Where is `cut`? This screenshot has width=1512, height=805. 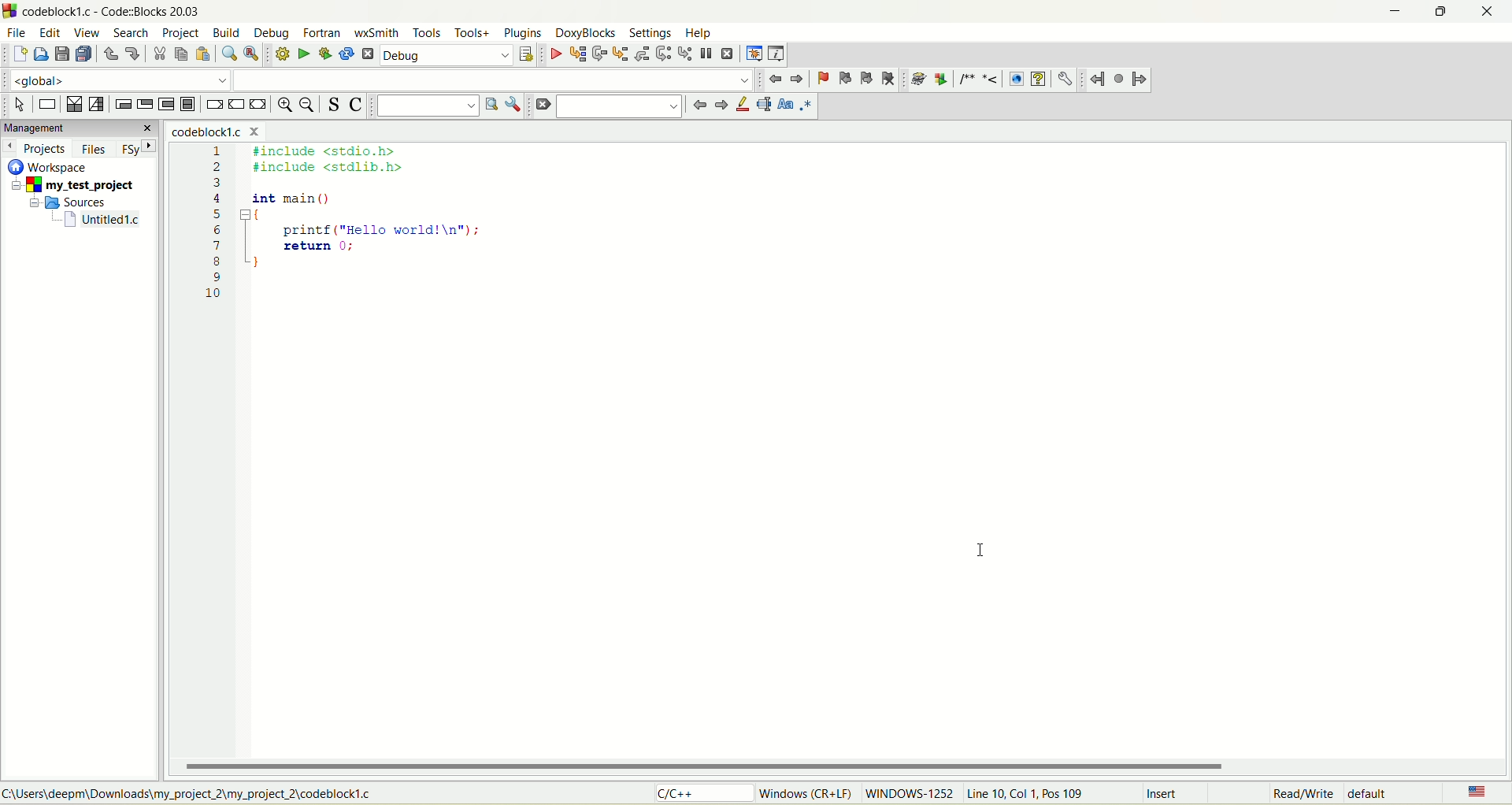 cut is located at coordinates (158, 54).